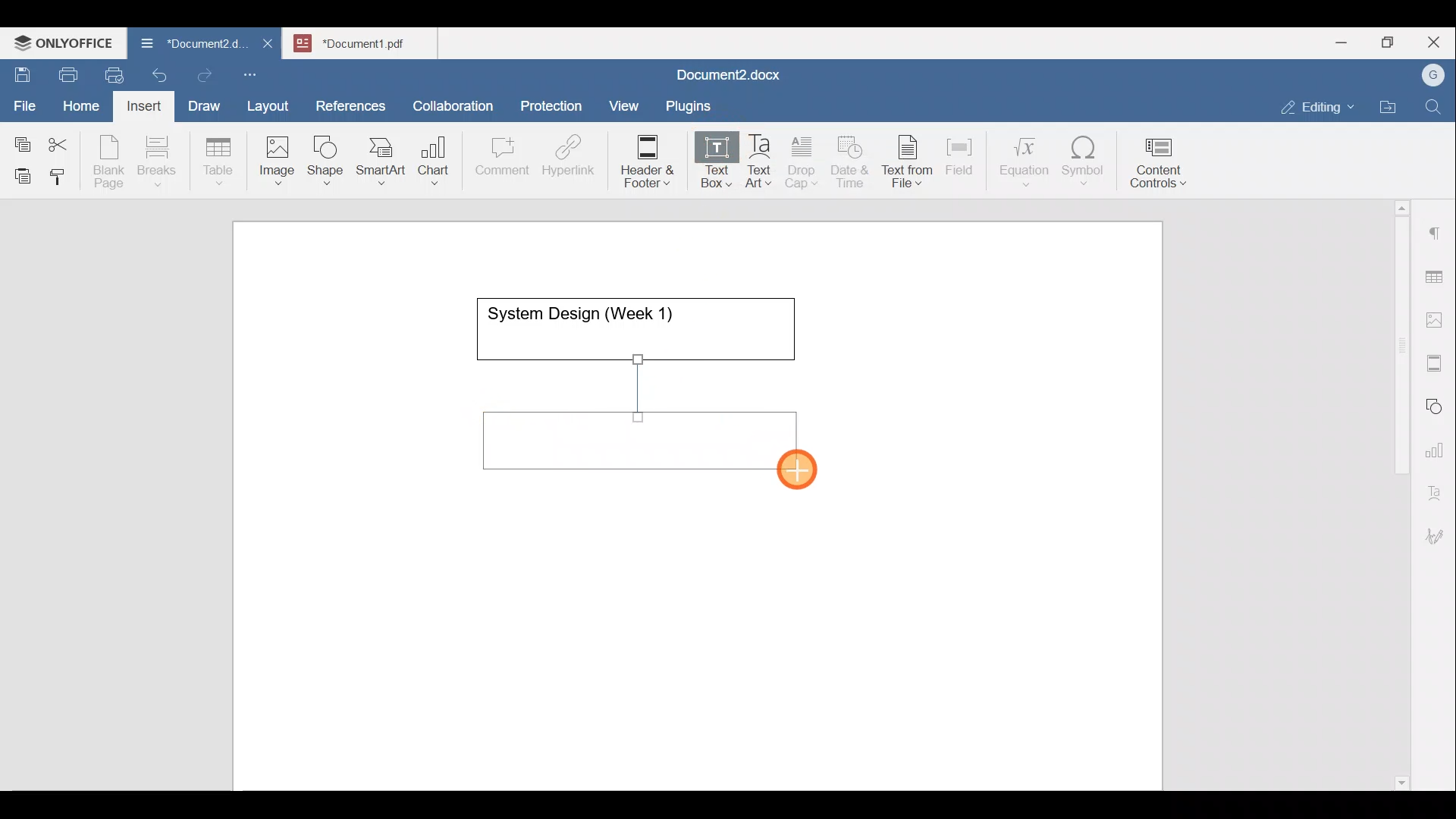  Describe the element at coordinates (1392, 108) in the screenshot. I see `Open file location` at that location.